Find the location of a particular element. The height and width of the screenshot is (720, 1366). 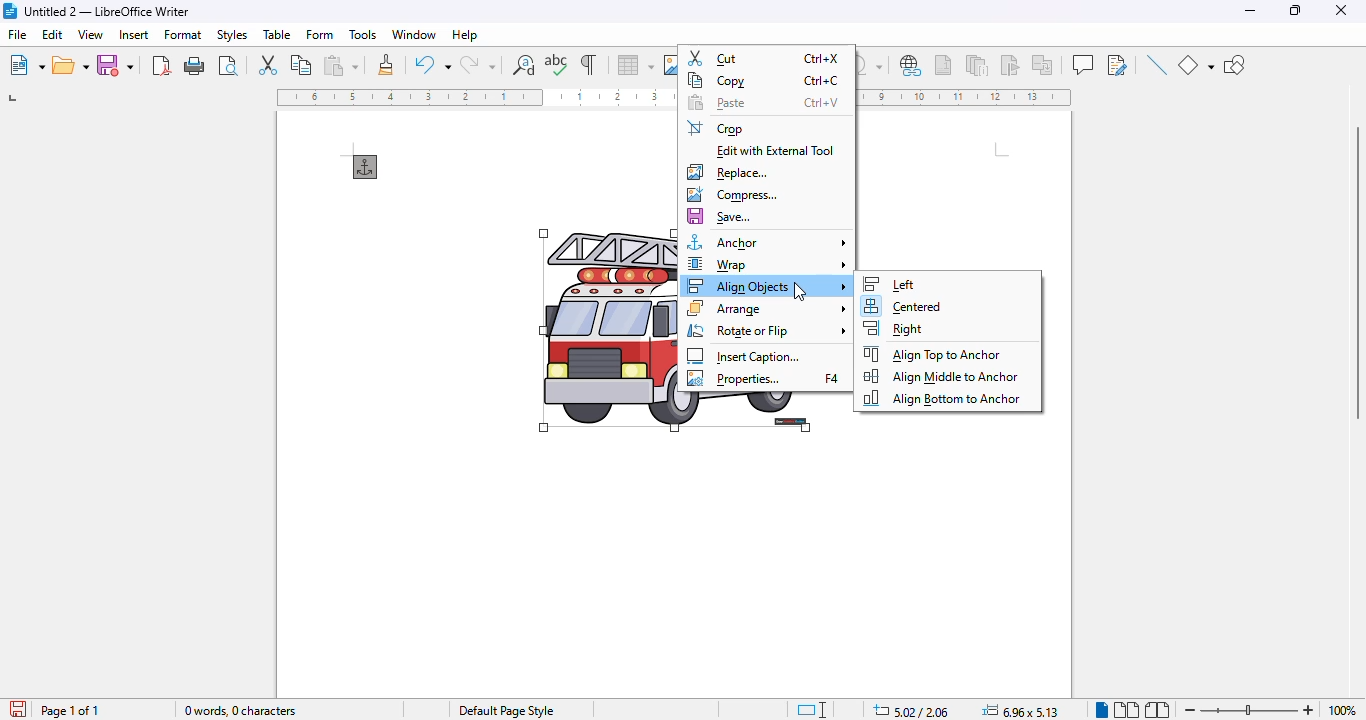

page style is located at coordinates (506, 711).